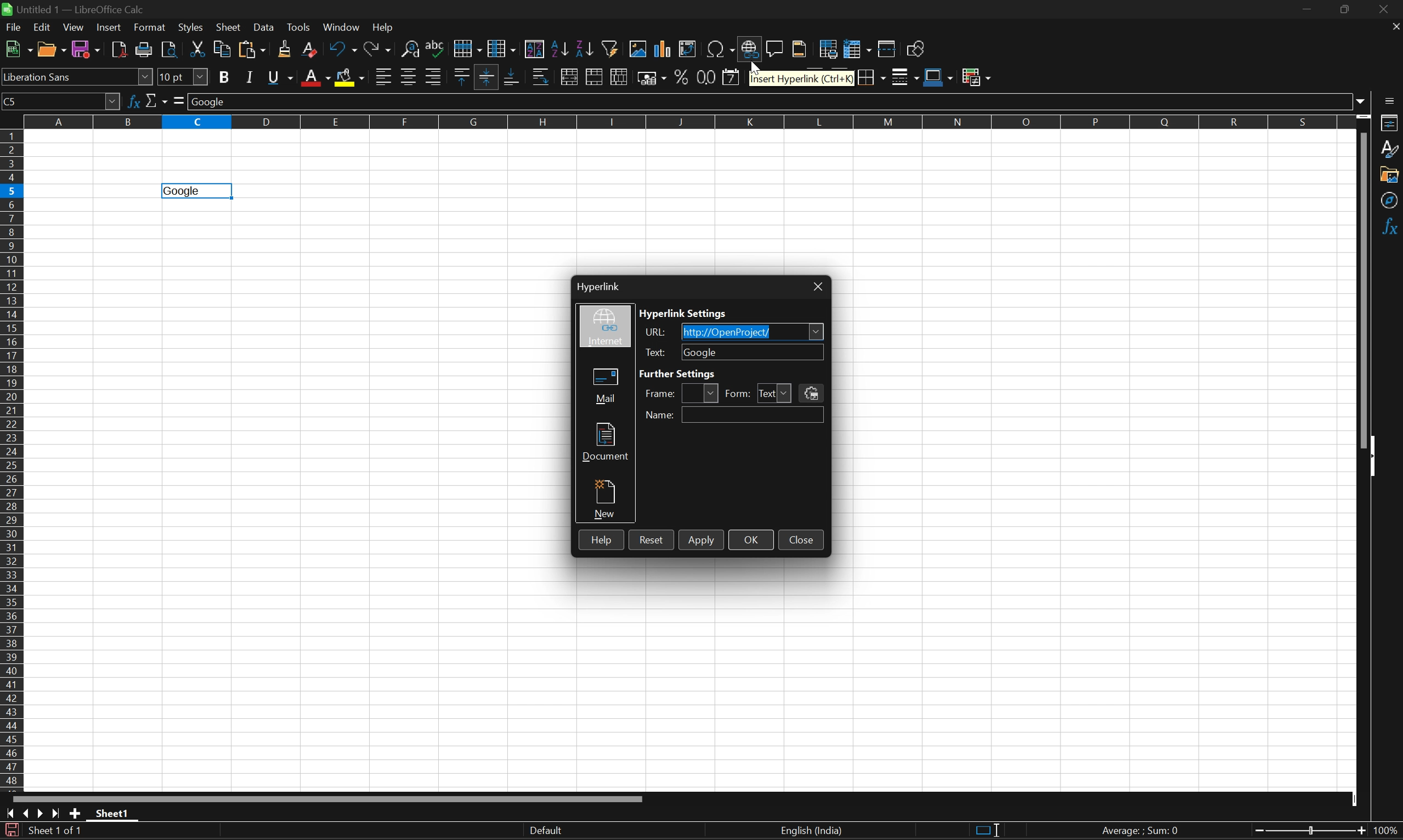 The width and height of the screenshot is (1403, 840). Describe the element at coordinates (701, 541) in the screenshot. I see `Apply` at that location.